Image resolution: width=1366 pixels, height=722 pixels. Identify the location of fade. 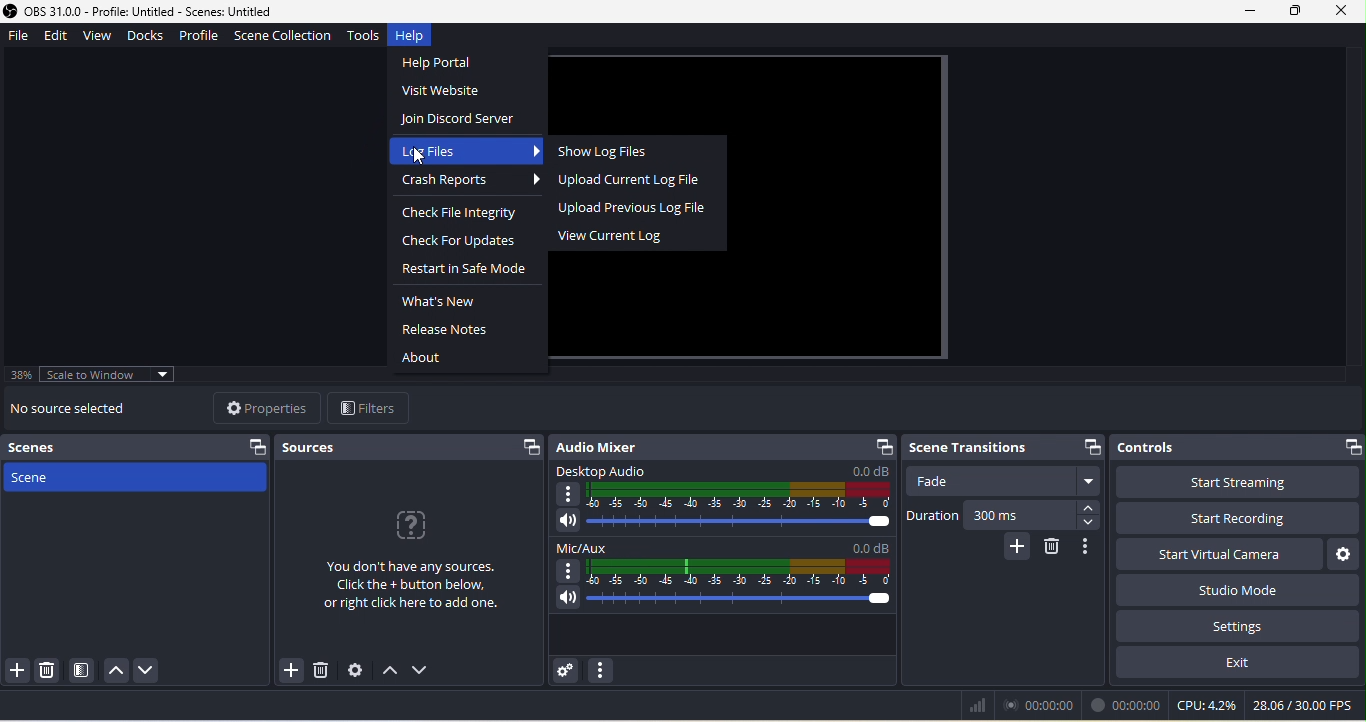
(1007, 483).